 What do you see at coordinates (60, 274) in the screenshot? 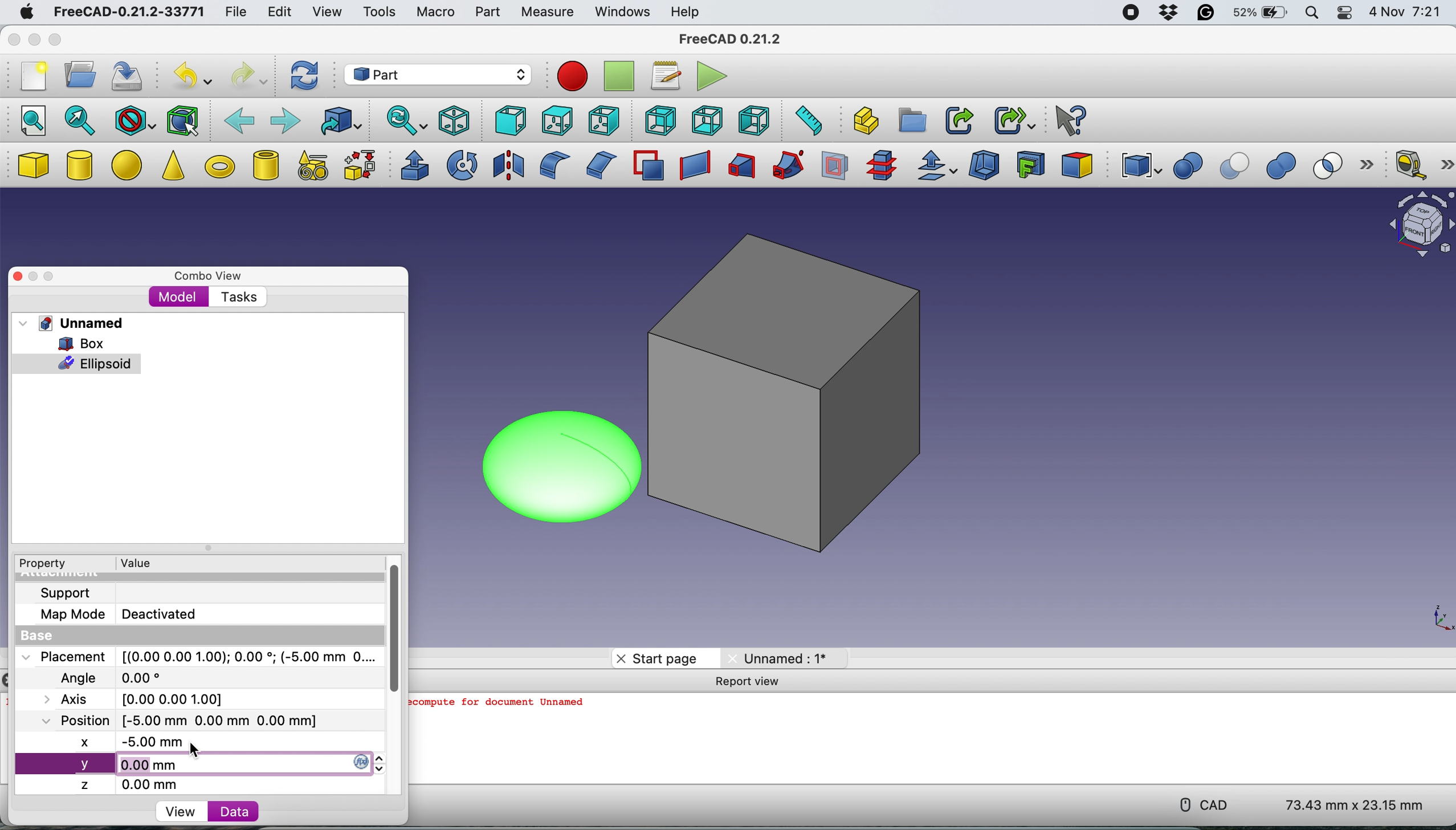
I see `maximise` at bounding box center [60, 274].